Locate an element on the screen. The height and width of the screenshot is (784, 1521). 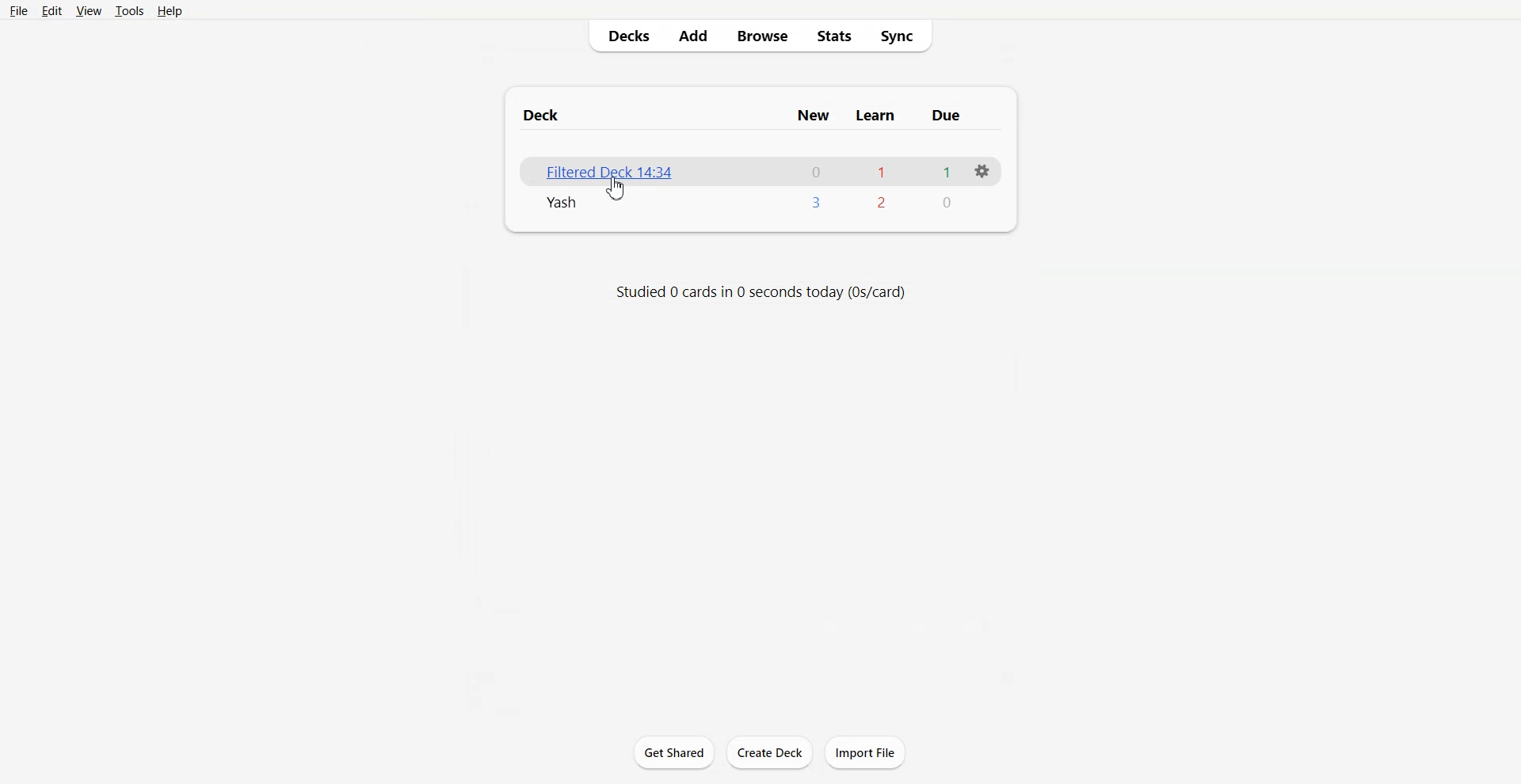
Decks is located at coordinates (623, 36).